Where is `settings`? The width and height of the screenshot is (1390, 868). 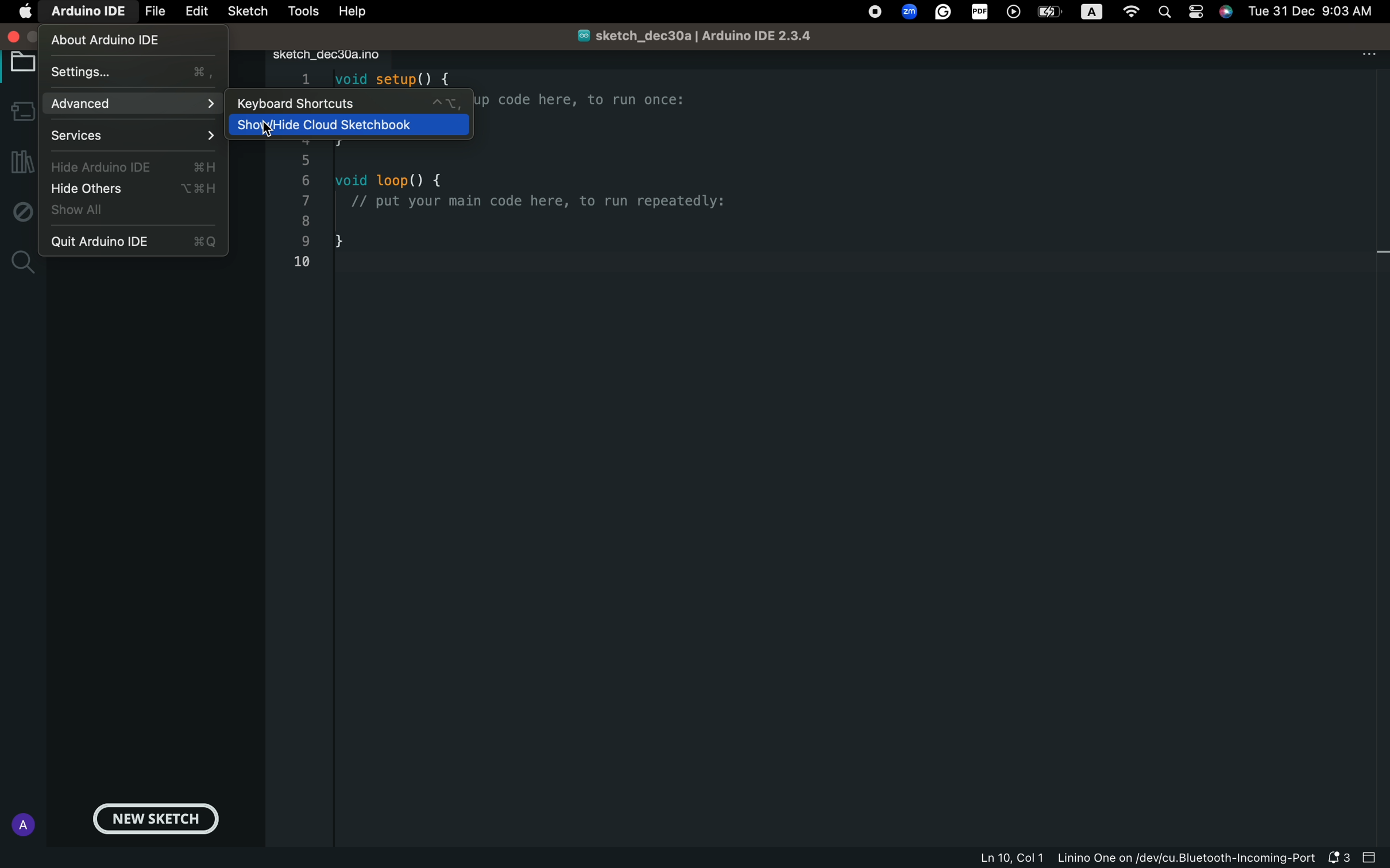 settings is located at coordinates (133, 72).